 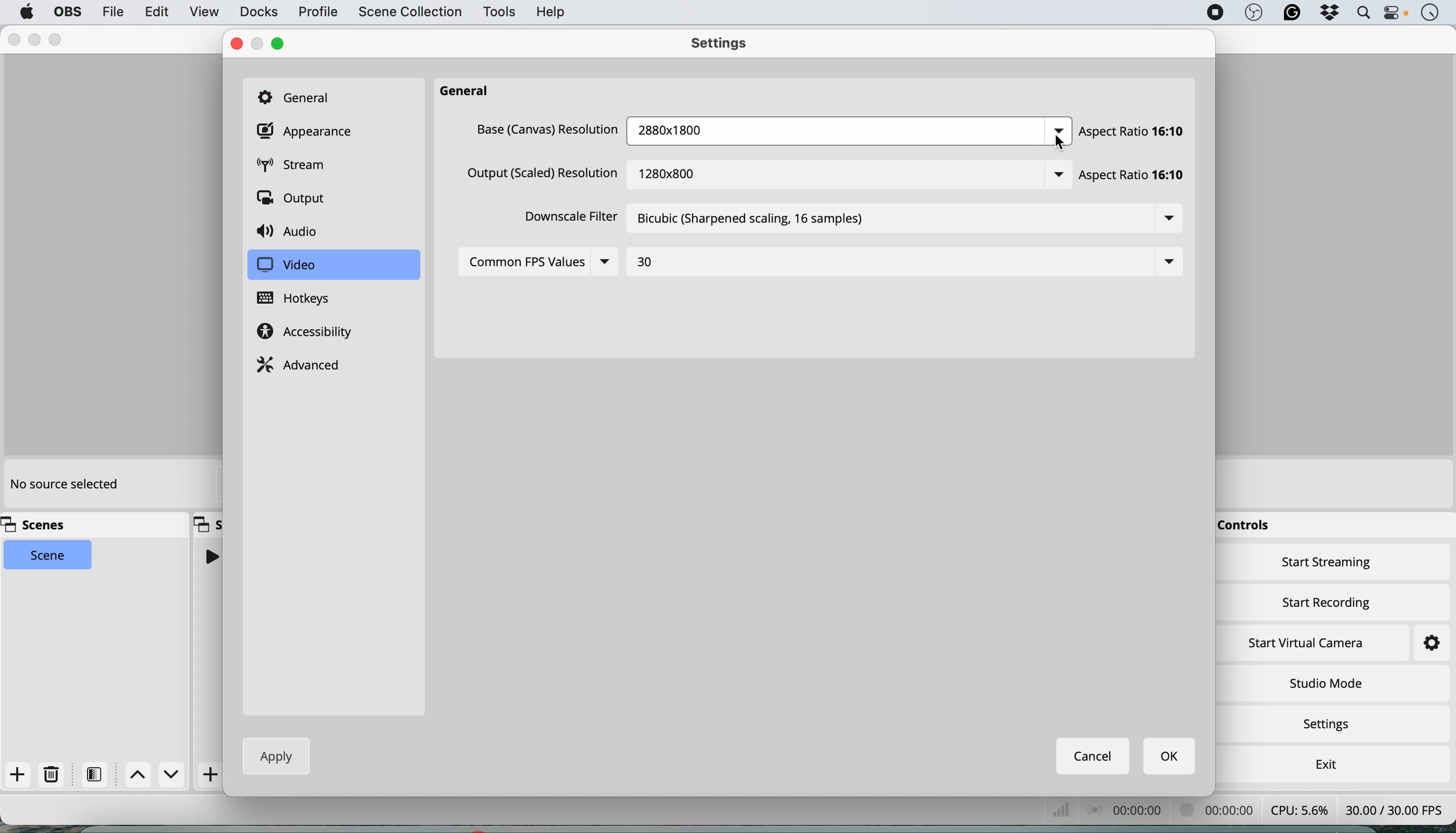 I want to click on ok, so click(x=1171, y=757).